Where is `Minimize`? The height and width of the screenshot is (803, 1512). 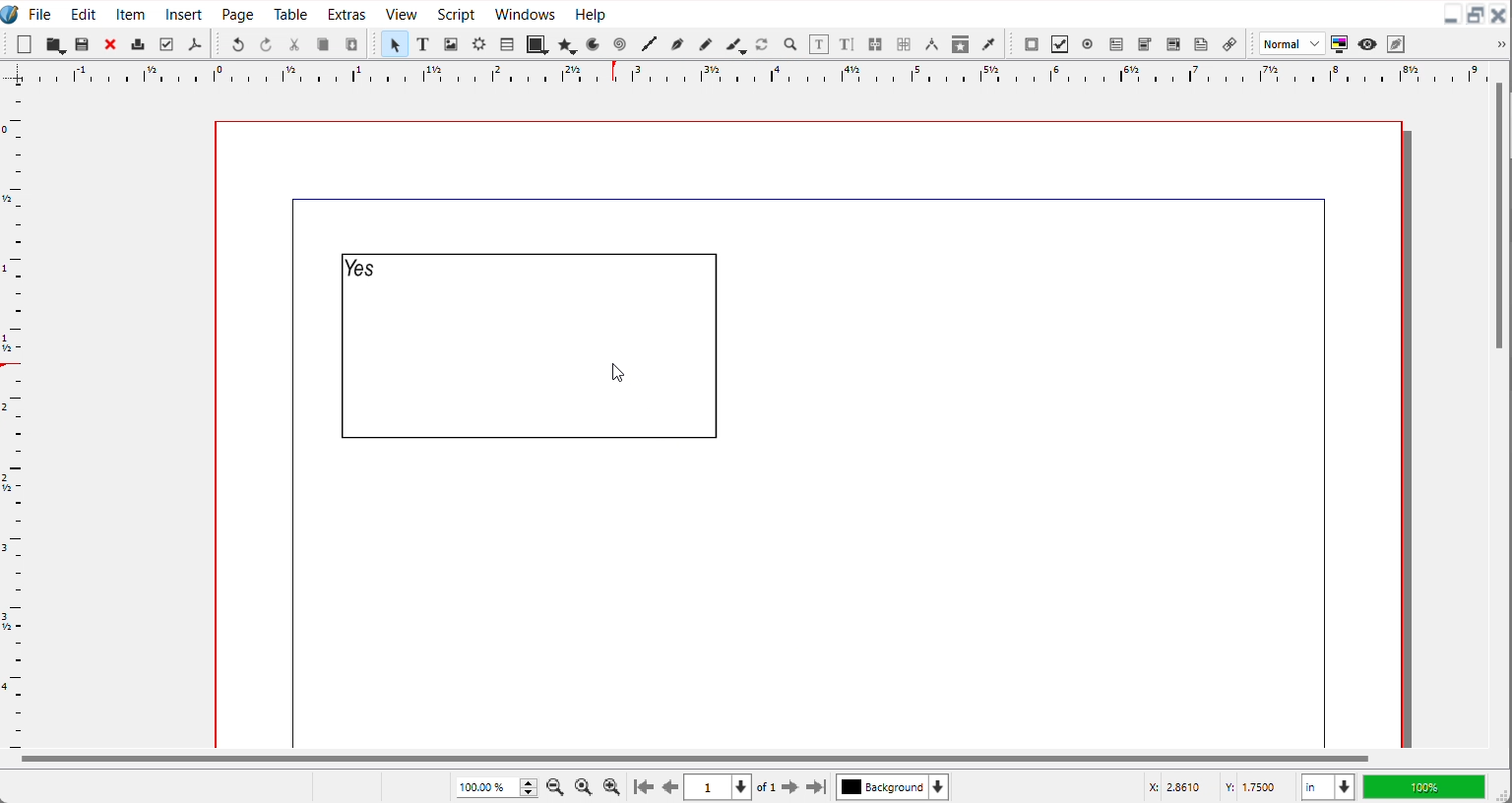 Minimize is located at coordinates (1451, 16).